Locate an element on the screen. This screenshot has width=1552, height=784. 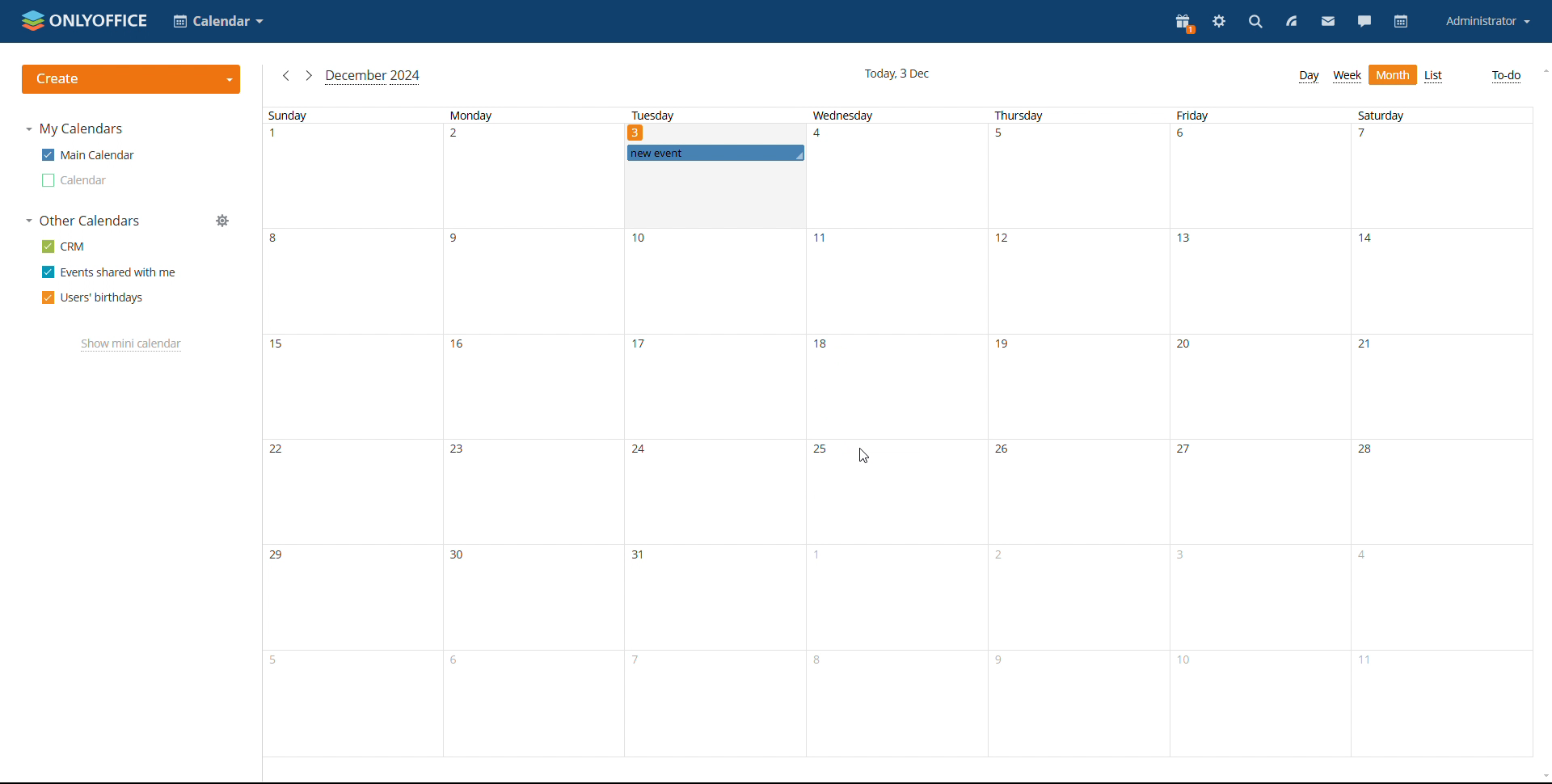
date is located at coordinates (636, 133).